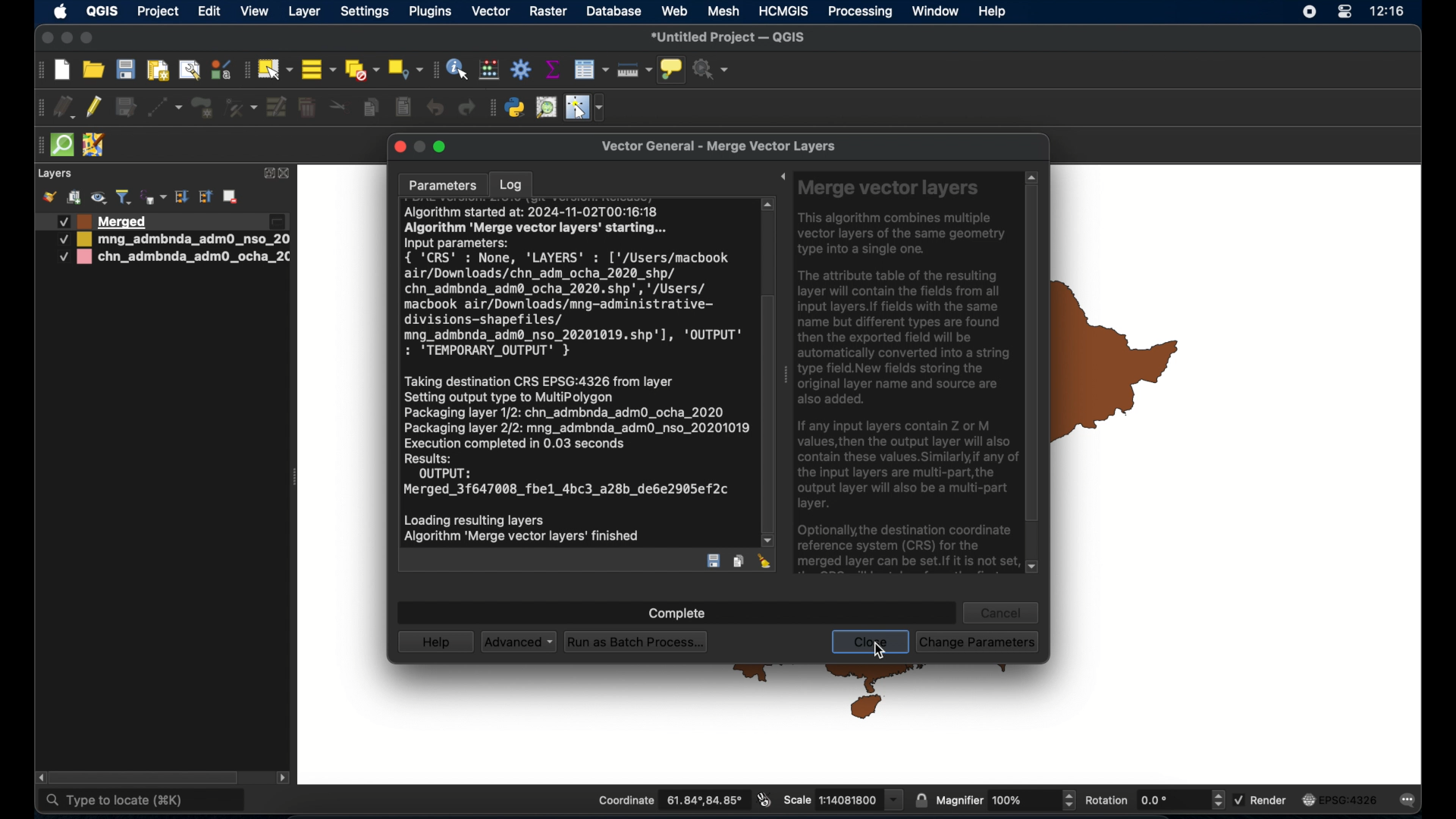 This screenshot has height=819, width=1456. I want to click on help, so click(993, 11).